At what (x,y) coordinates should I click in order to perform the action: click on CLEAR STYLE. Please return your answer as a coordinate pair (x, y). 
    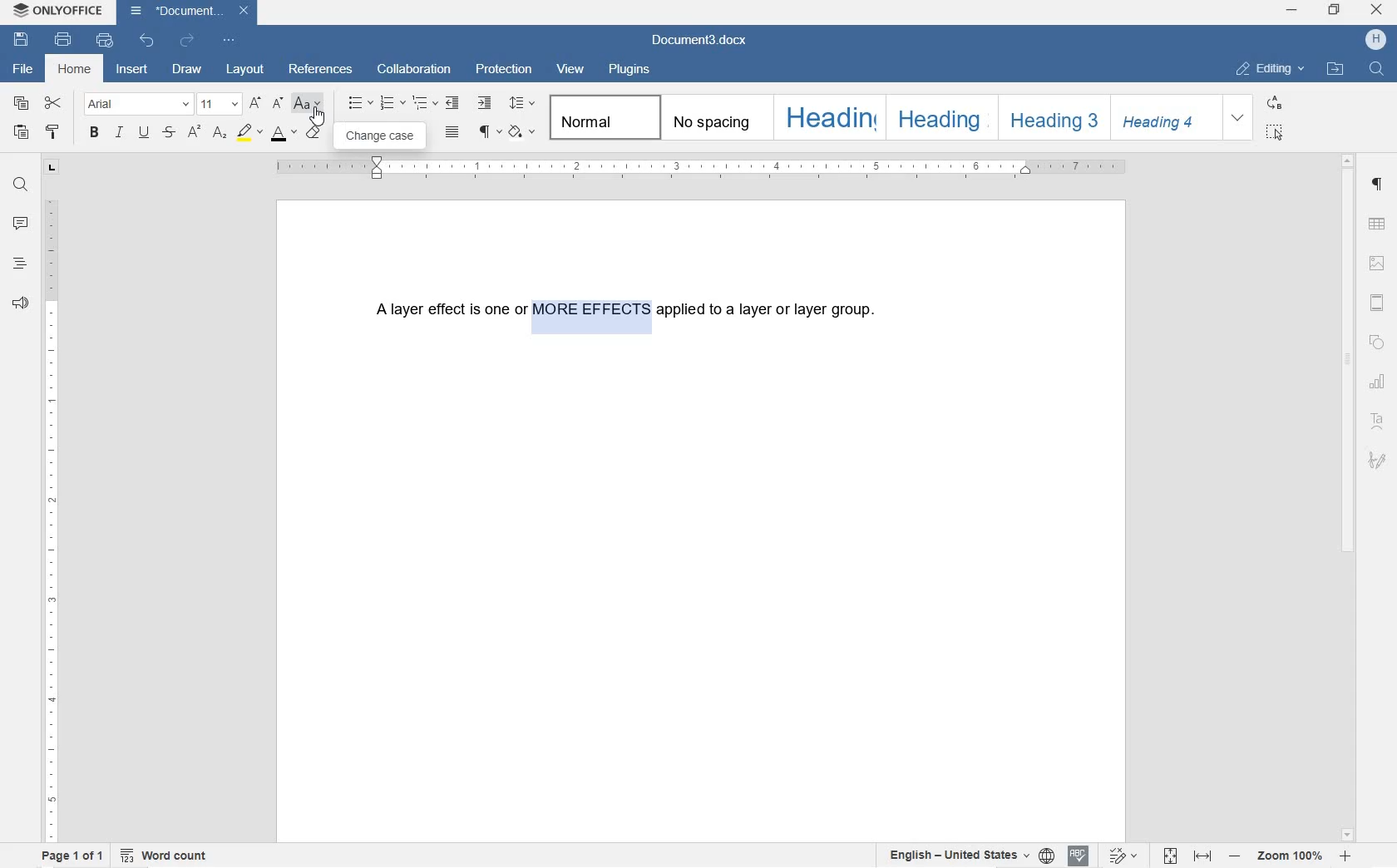
    Looking at the image, I should click on (315, 133).